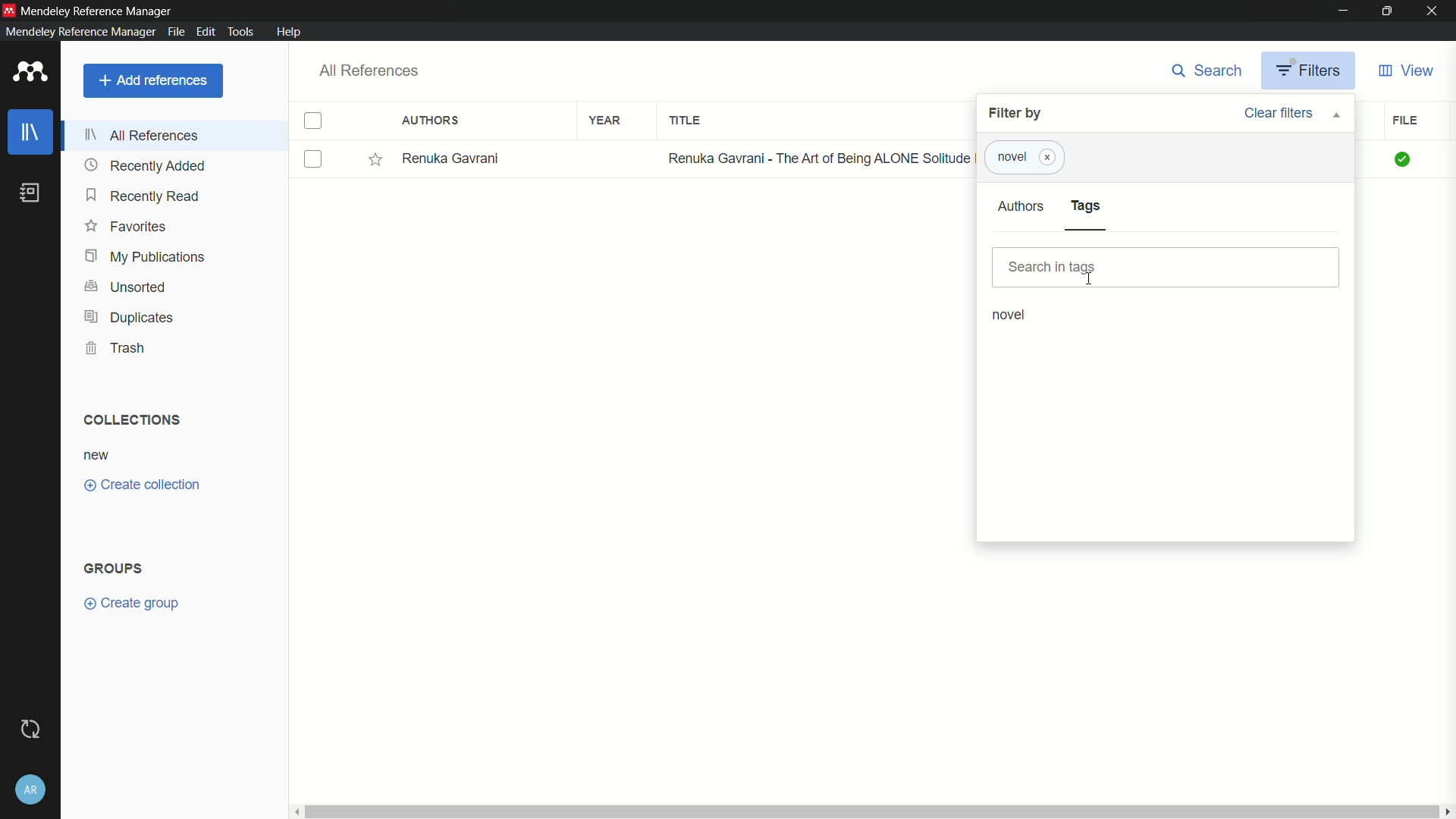  I want to click on Farnham, Boston; Tokyo, S...., so click(491, 158).